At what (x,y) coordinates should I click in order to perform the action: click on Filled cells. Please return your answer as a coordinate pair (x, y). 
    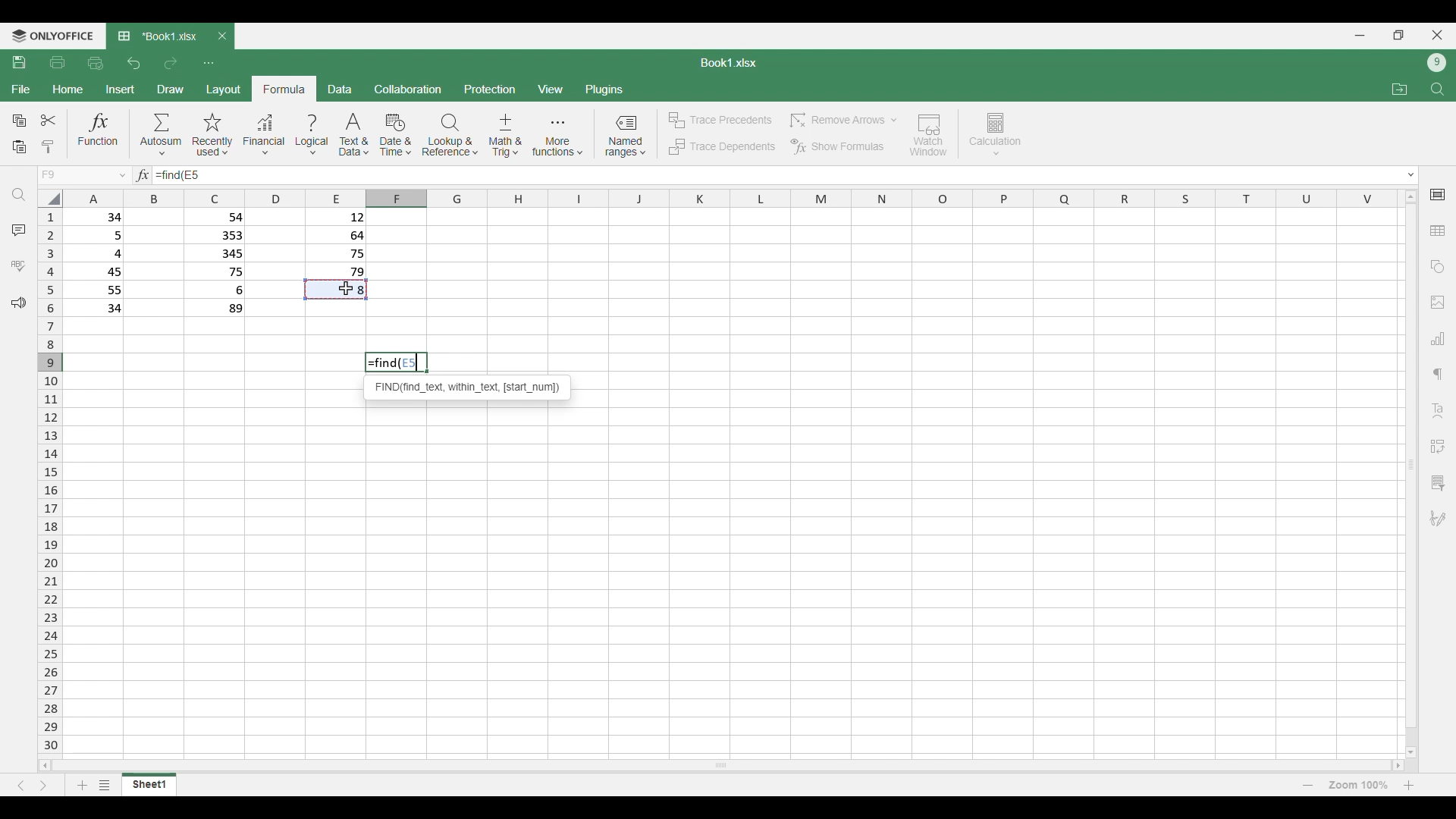
    Looking at the image, I should click on (99, 262).